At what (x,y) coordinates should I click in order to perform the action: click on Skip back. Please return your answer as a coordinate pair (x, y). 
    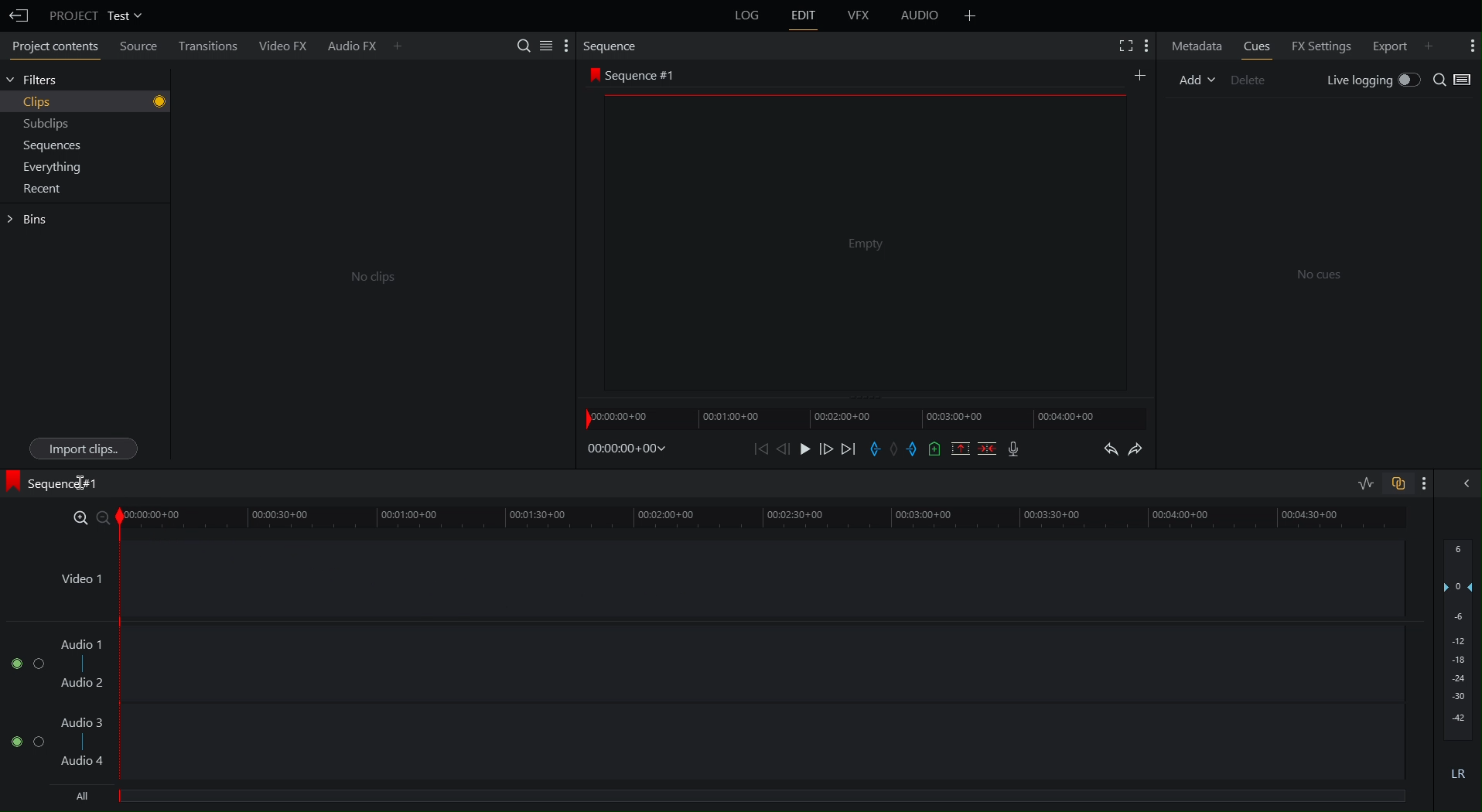
    Looking at the image, I should click on (761, 450).